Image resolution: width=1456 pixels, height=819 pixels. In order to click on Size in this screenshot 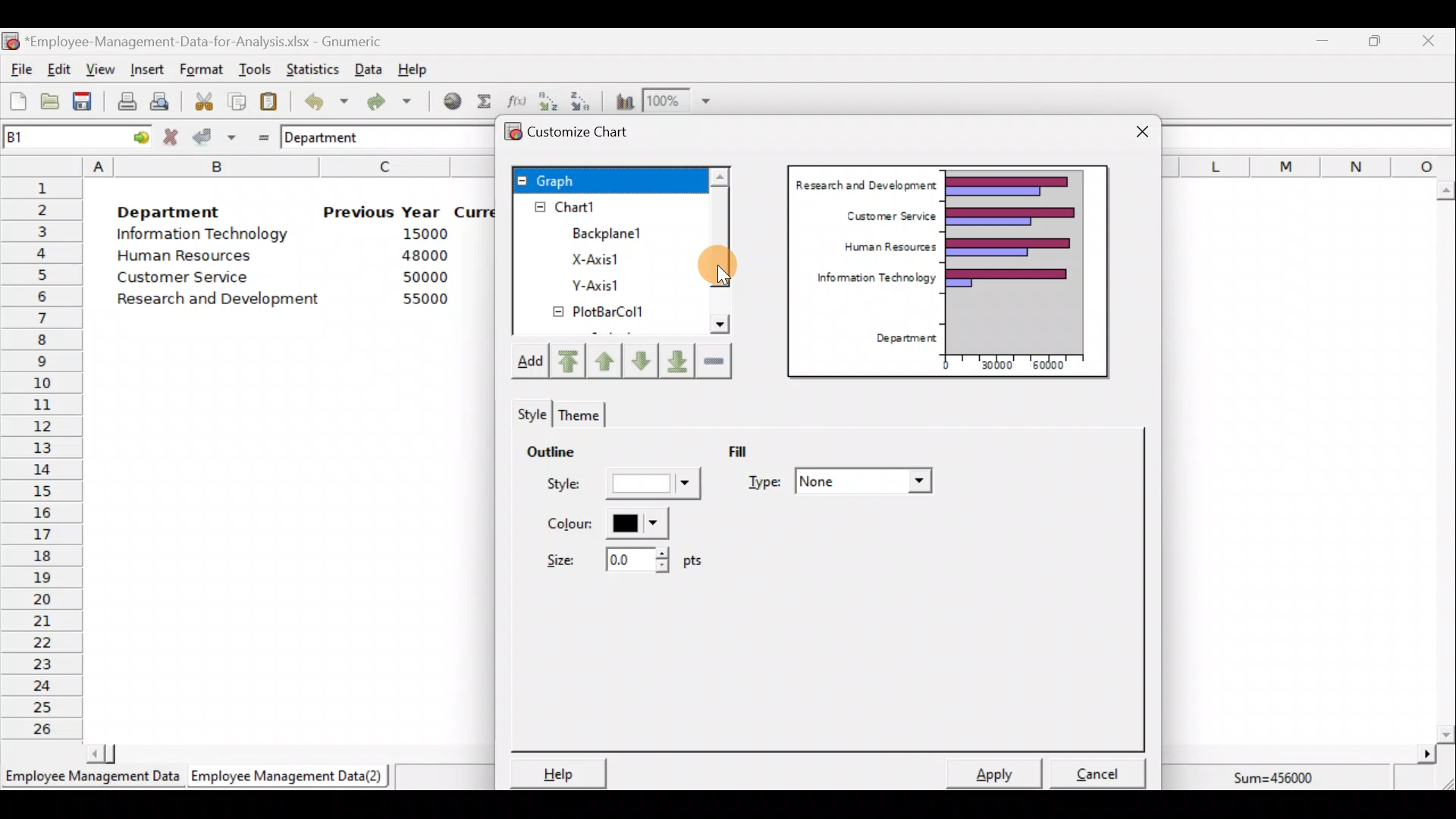, I will do `click(620, 558)`.